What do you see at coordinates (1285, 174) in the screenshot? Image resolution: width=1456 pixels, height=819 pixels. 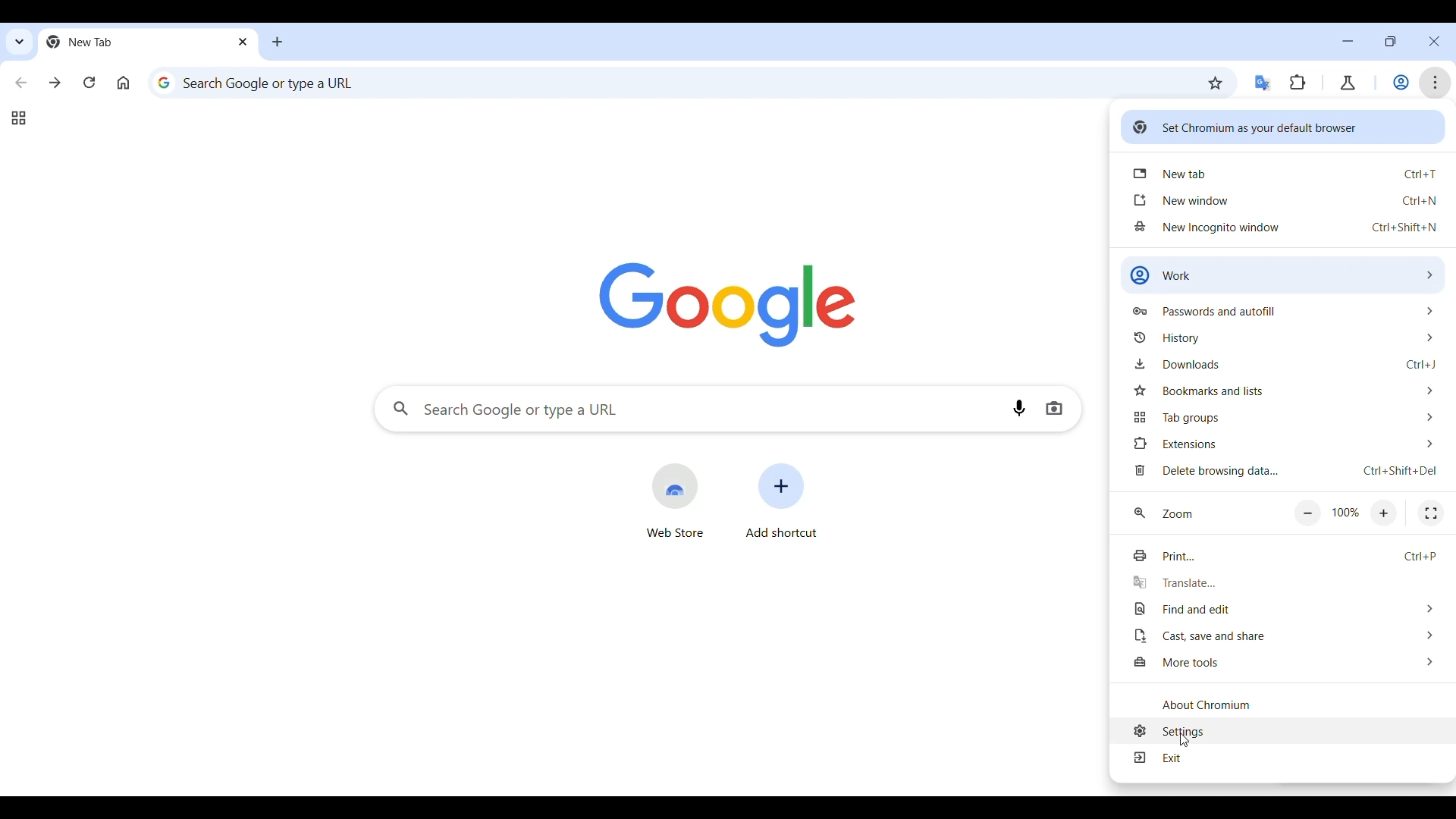 I see `new tab` at bounding box center [1285, 174].